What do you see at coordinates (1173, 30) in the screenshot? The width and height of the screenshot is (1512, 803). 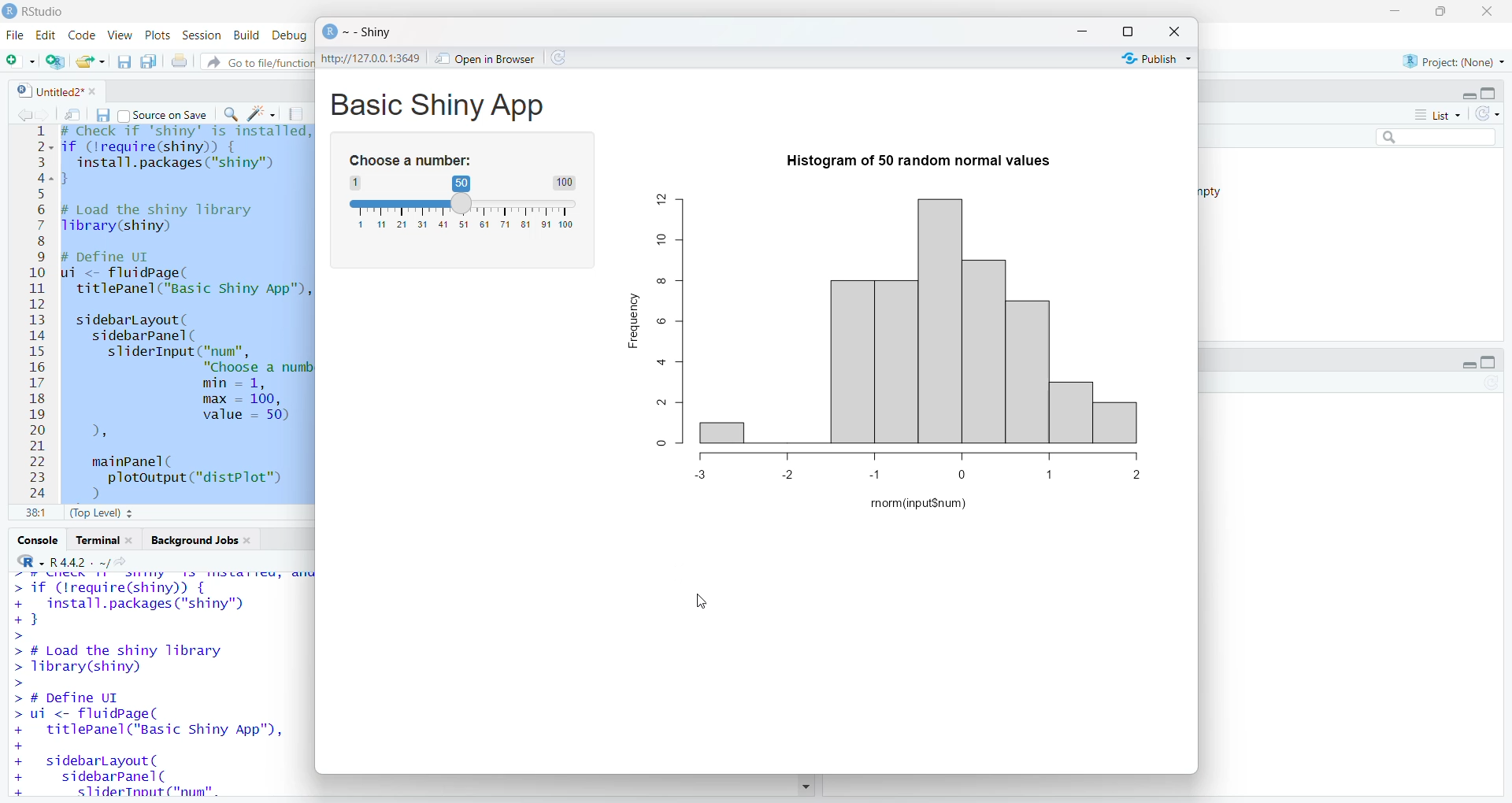 I see `close` at bounding box center [1173, 30].